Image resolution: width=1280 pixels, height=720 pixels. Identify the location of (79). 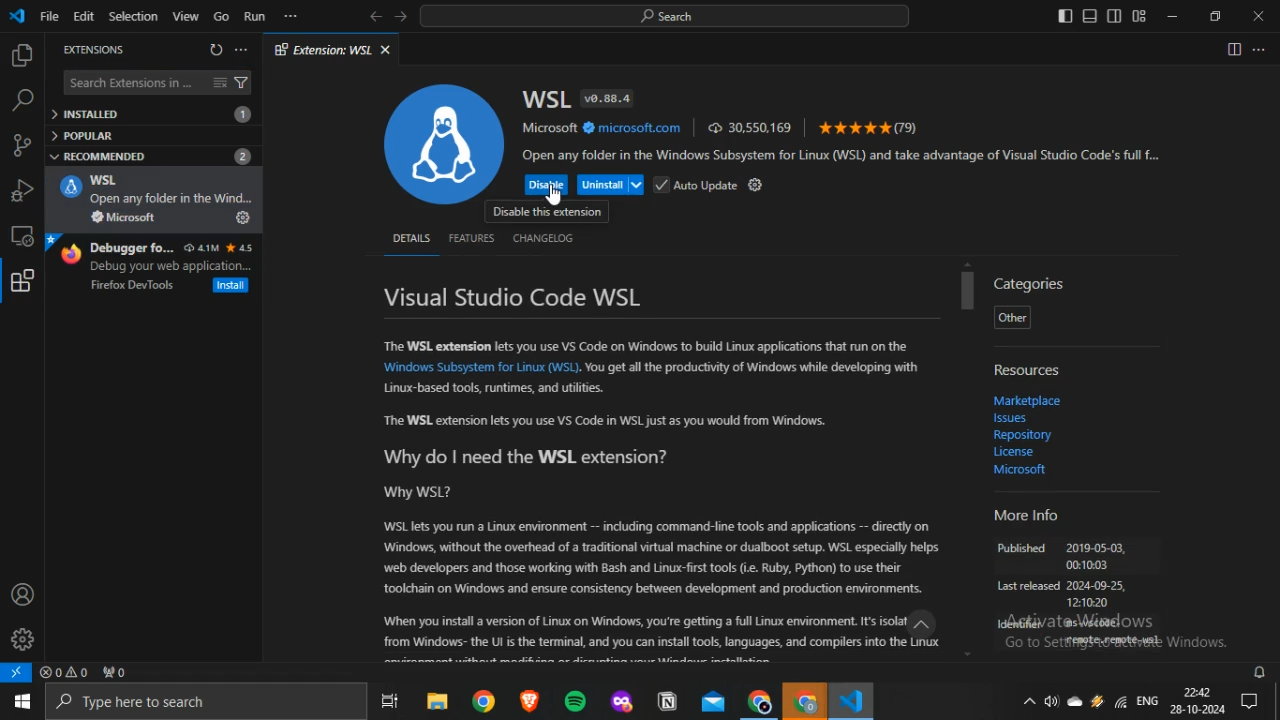
(869, 127).